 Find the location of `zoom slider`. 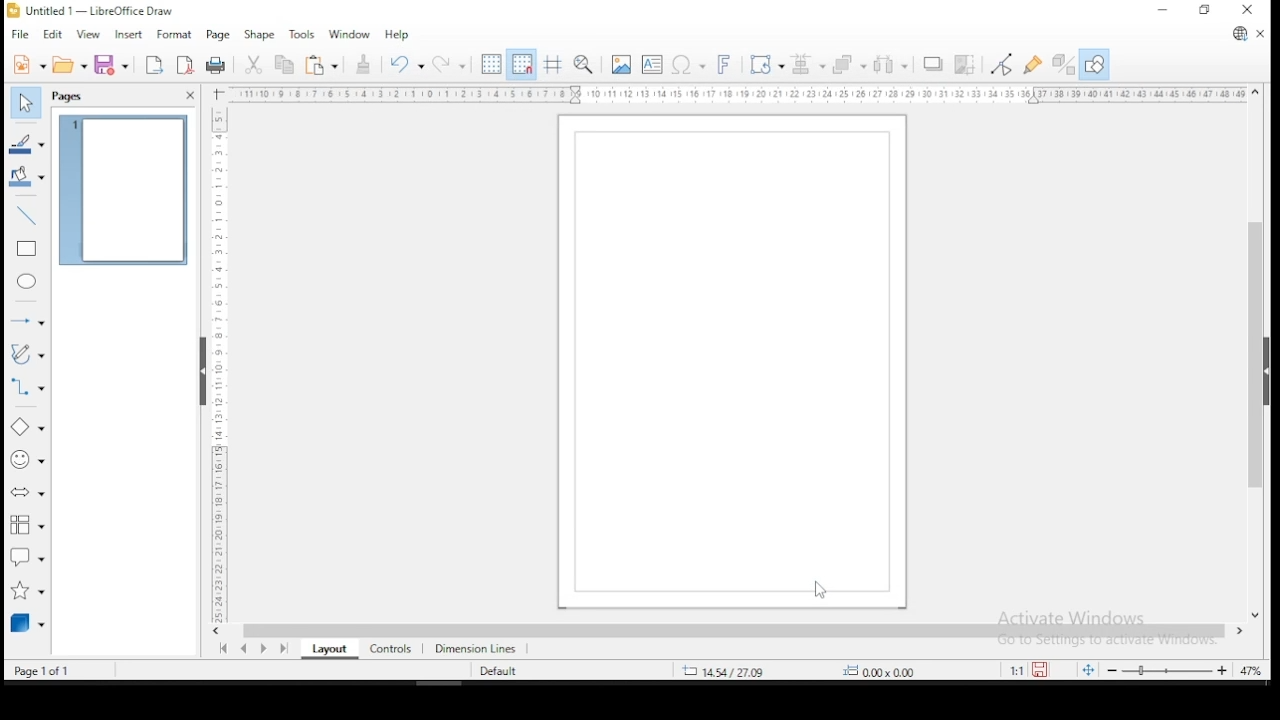

zoom slider is located at coordinates (1171, 669).